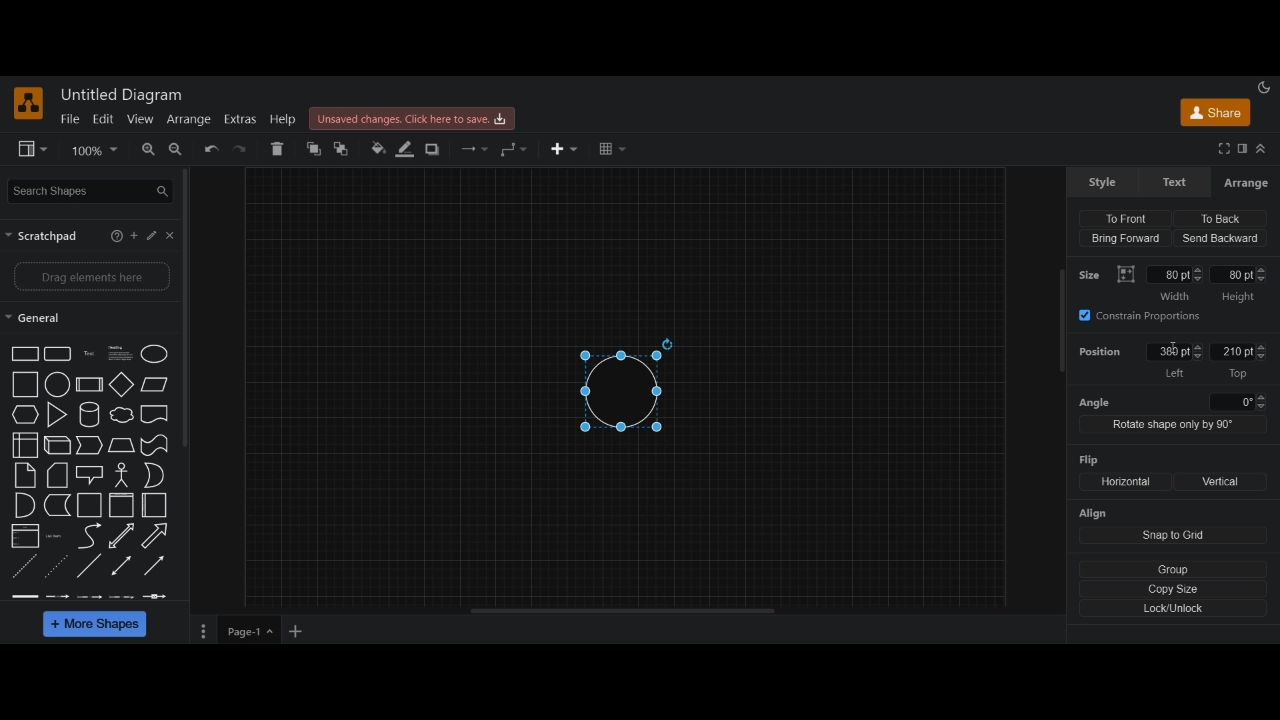  What do you see at coordinates (1174, 536) in the screenshot?
I see `snap to grid` at bounding box center [1174, 536].